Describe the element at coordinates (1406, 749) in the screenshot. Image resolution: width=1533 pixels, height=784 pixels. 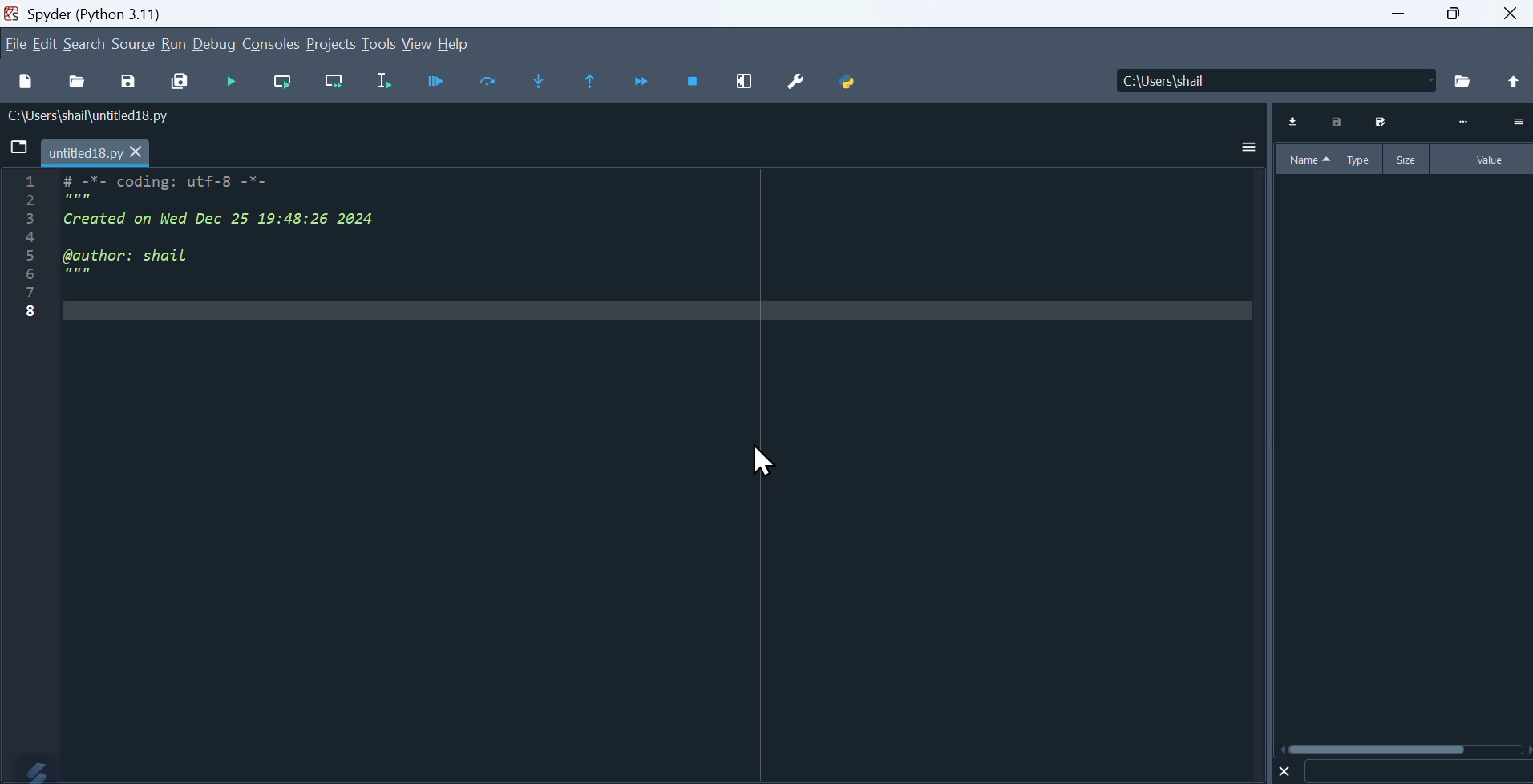
I see `Horizontal scroll bar` at that location.